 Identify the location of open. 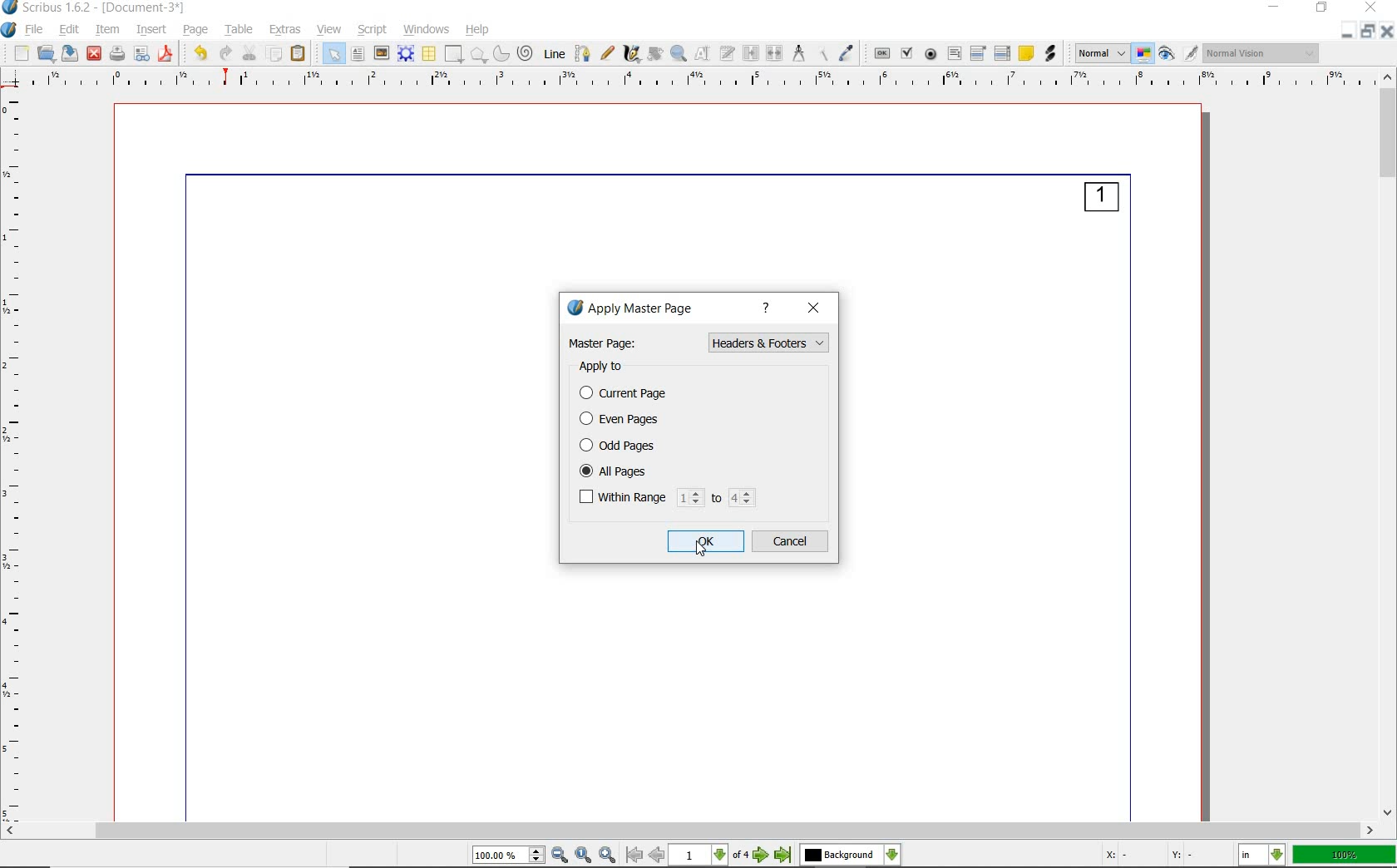
(46, 52).